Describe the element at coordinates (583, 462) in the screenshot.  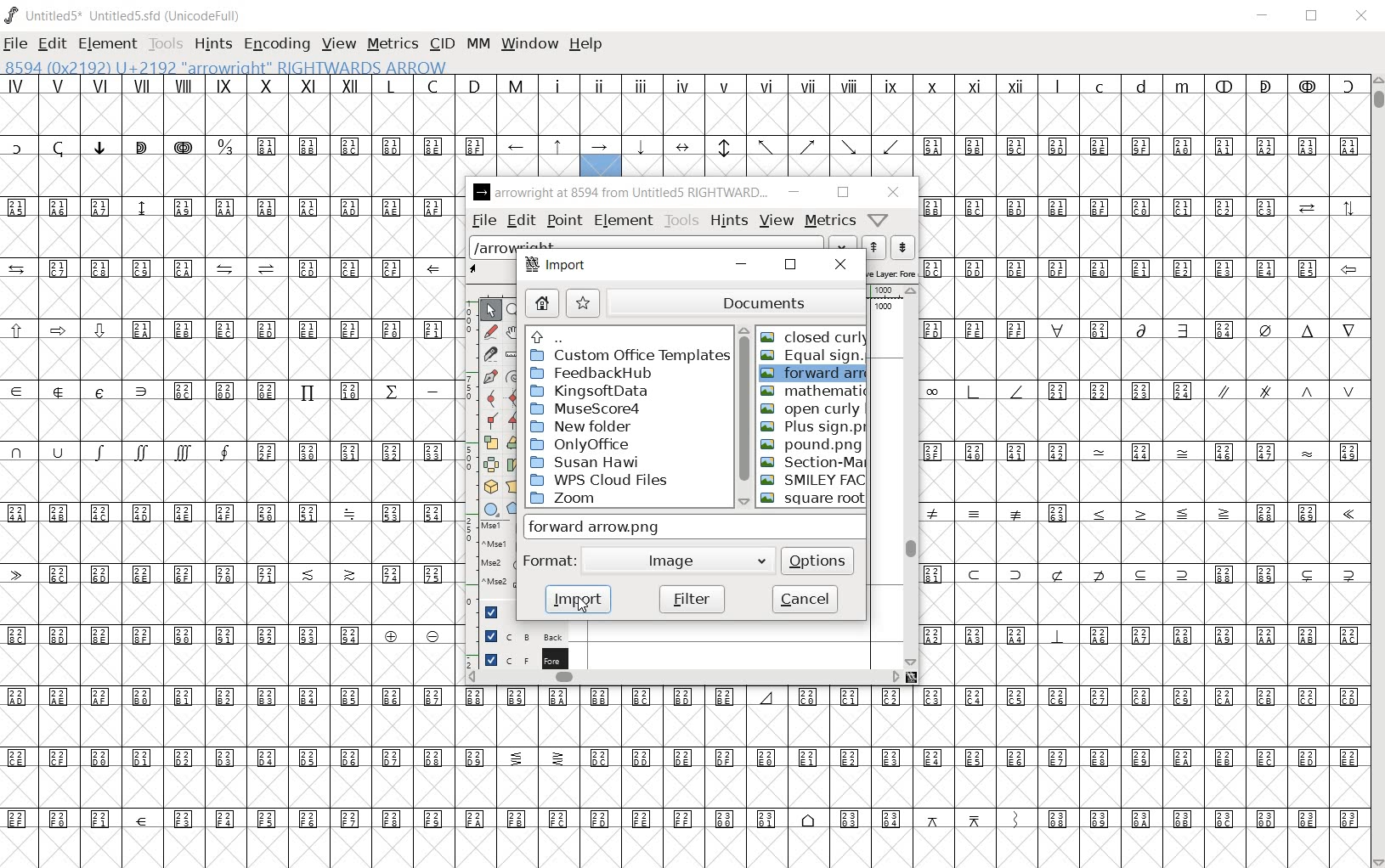
I see `Susan Hawi` at that location.